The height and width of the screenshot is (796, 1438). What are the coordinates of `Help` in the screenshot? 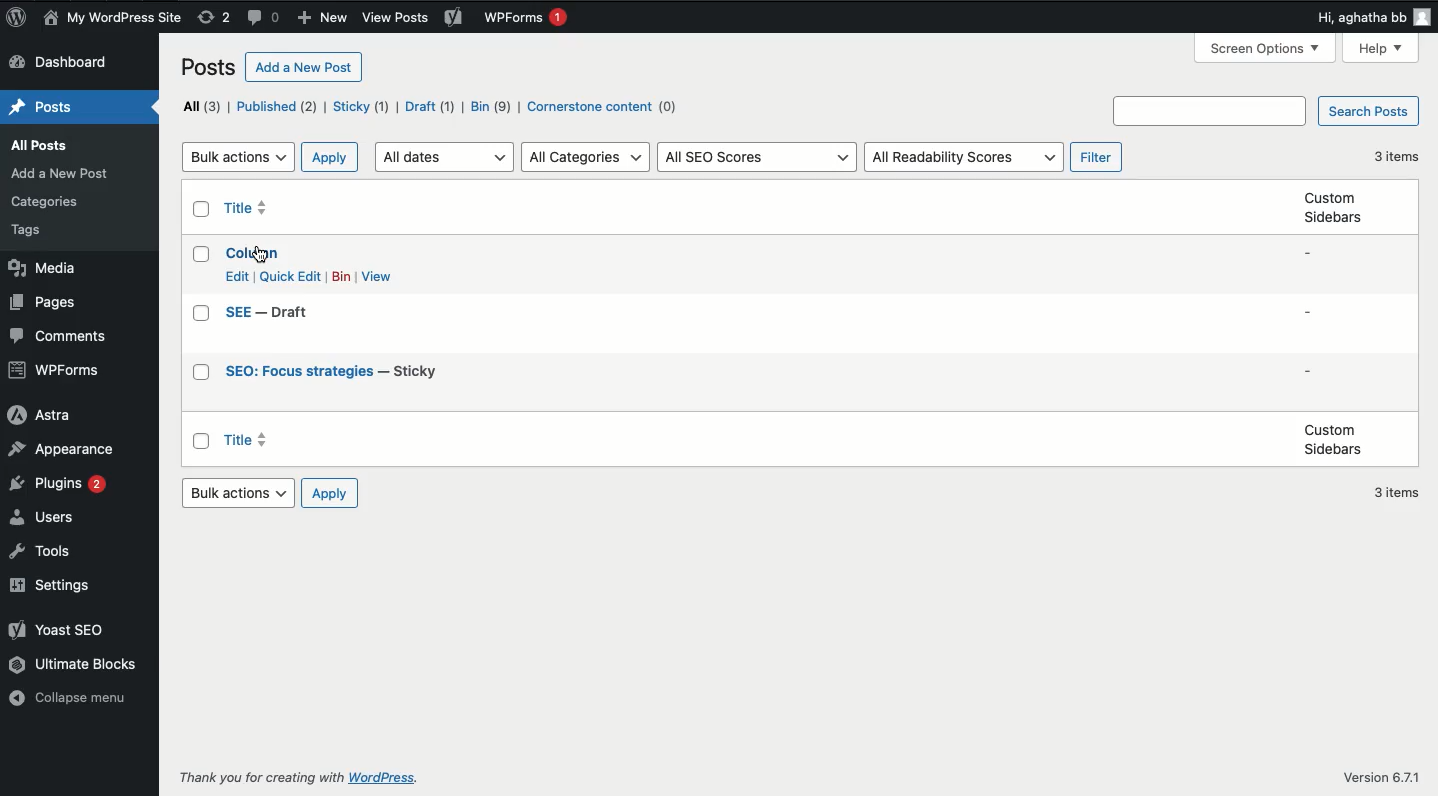 It's located at (1381, 49).